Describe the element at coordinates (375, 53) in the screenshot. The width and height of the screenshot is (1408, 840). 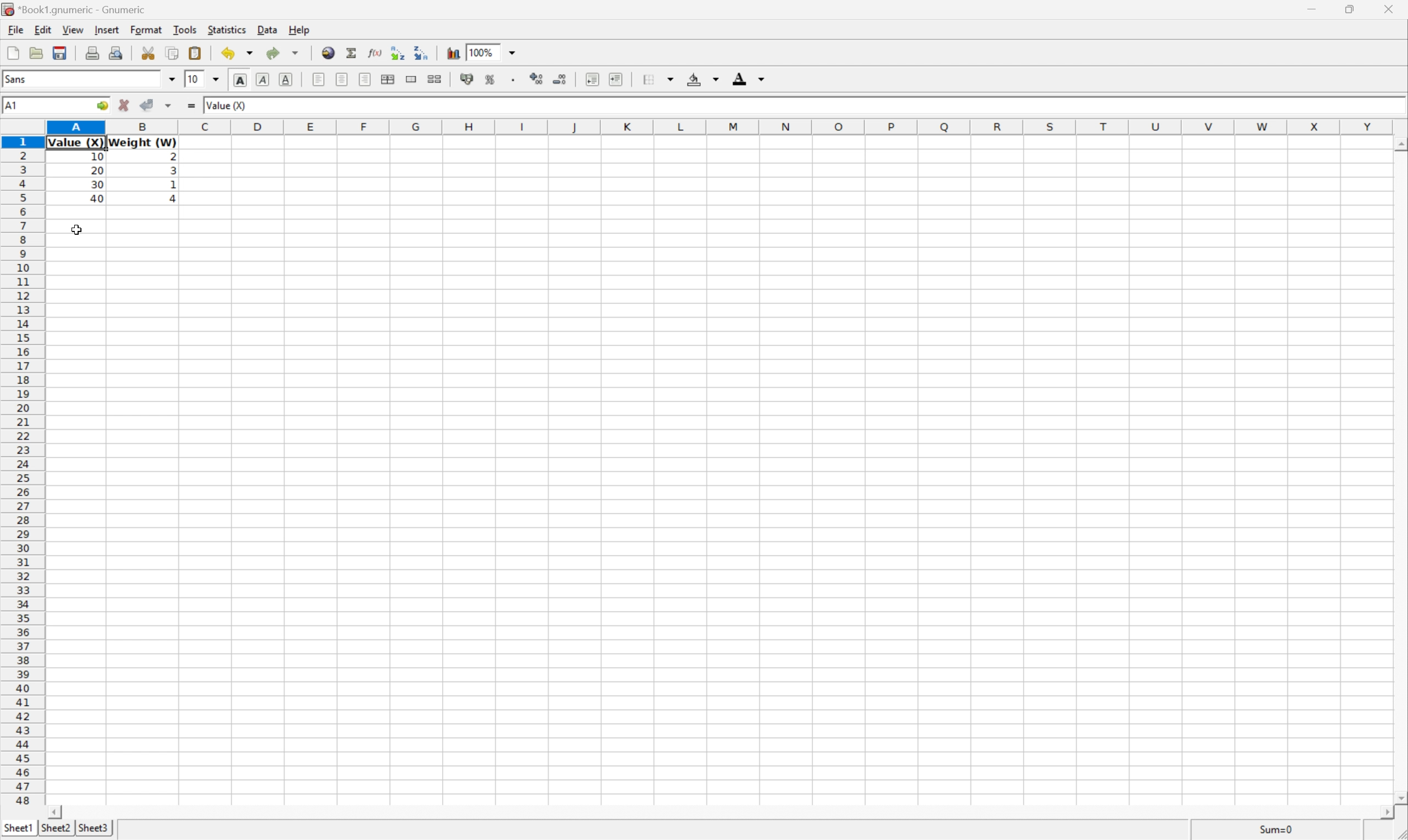
I see `Edit function in current cell` at that location.